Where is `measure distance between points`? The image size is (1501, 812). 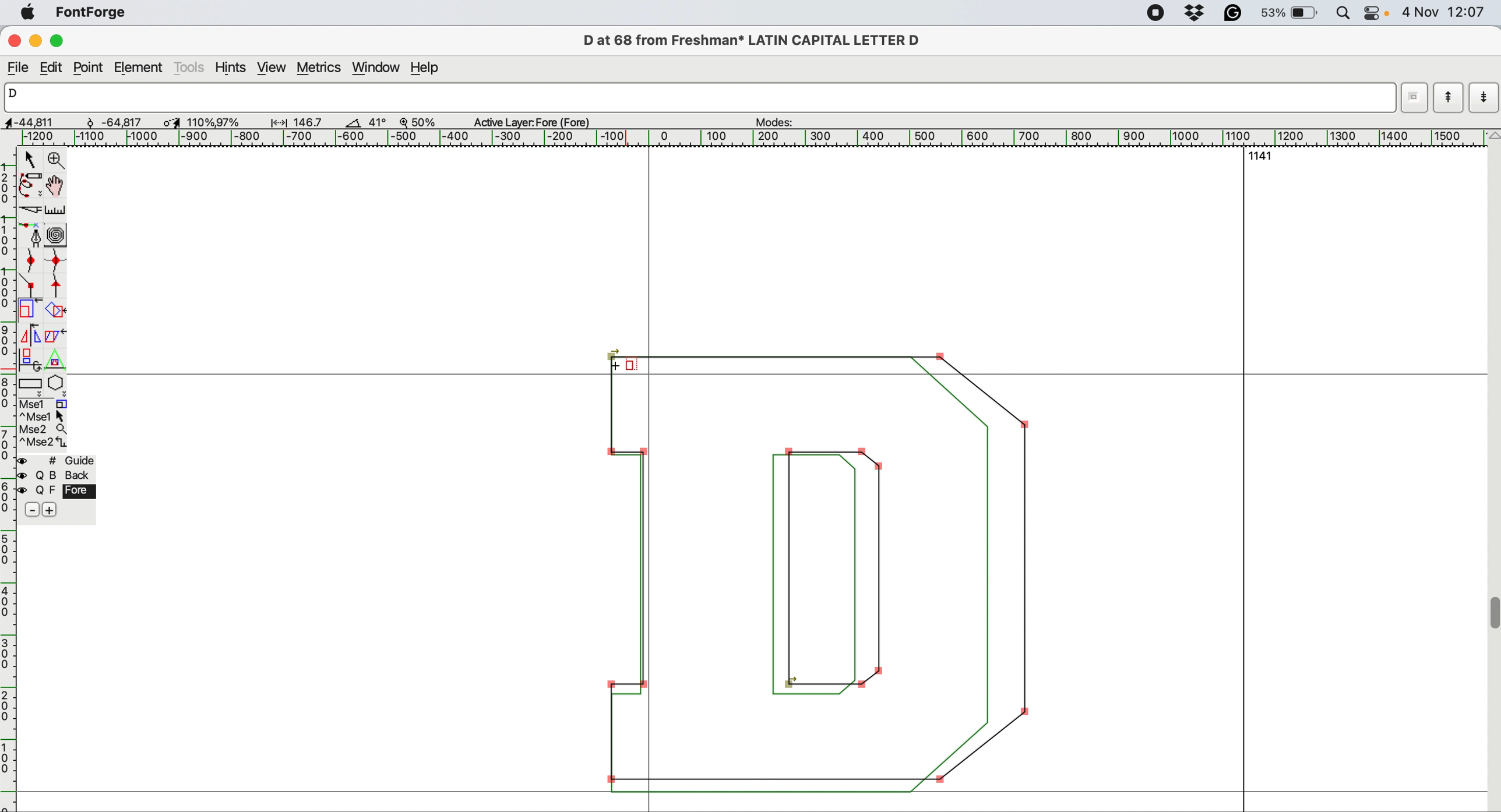
measure distance between points is located at coordinates (56, 211).